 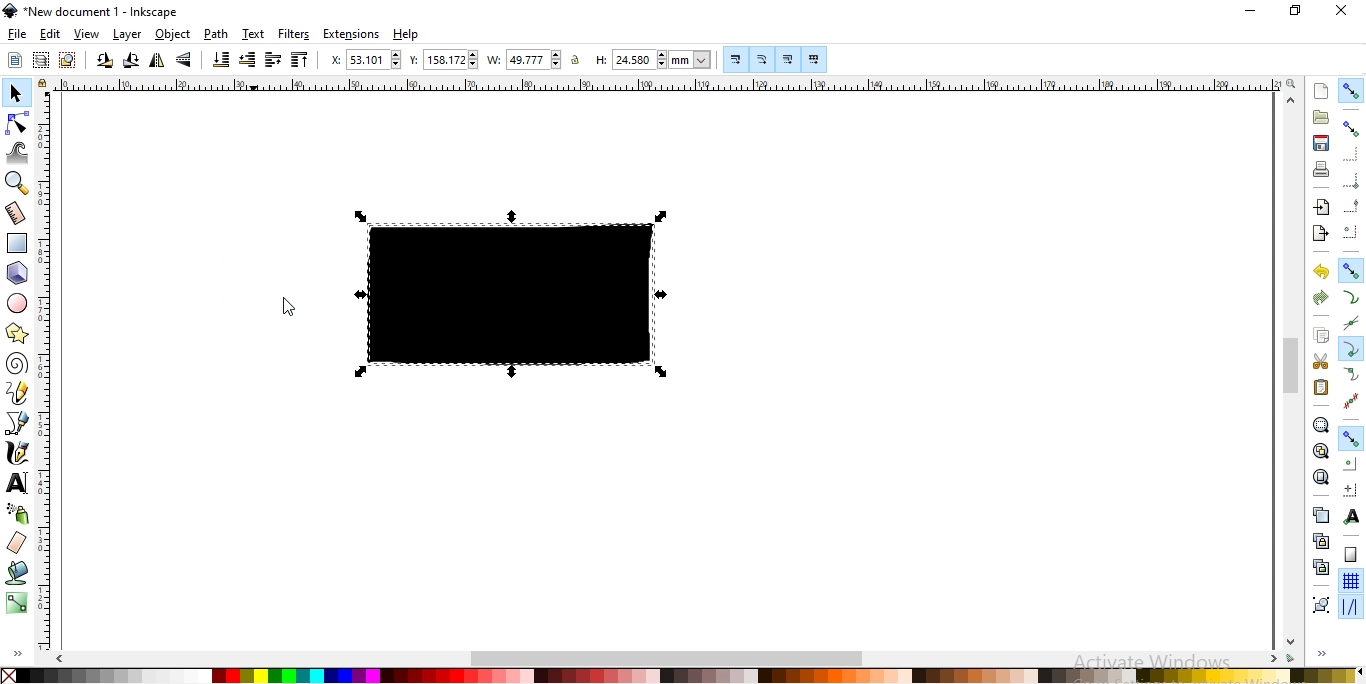 I want to click on create stars and polygons, so click(x=19, y=331).